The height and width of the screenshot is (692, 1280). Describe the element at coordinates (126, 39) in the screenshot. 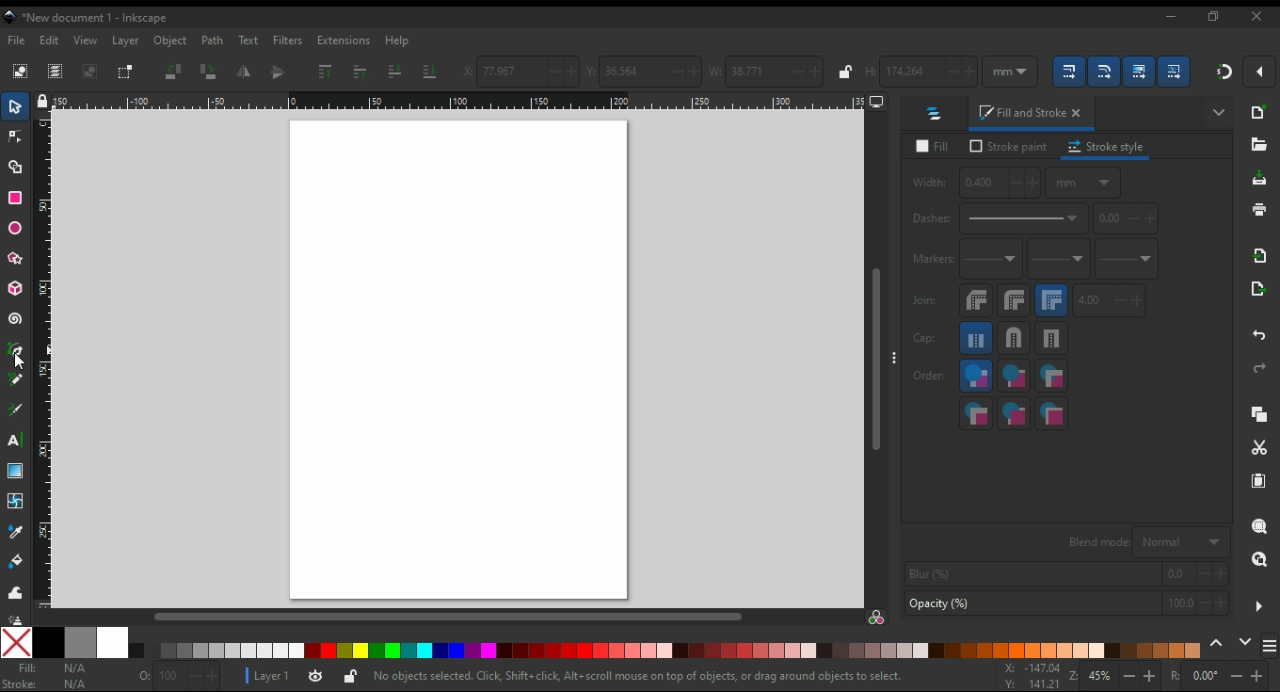

I see `layer` at that location.